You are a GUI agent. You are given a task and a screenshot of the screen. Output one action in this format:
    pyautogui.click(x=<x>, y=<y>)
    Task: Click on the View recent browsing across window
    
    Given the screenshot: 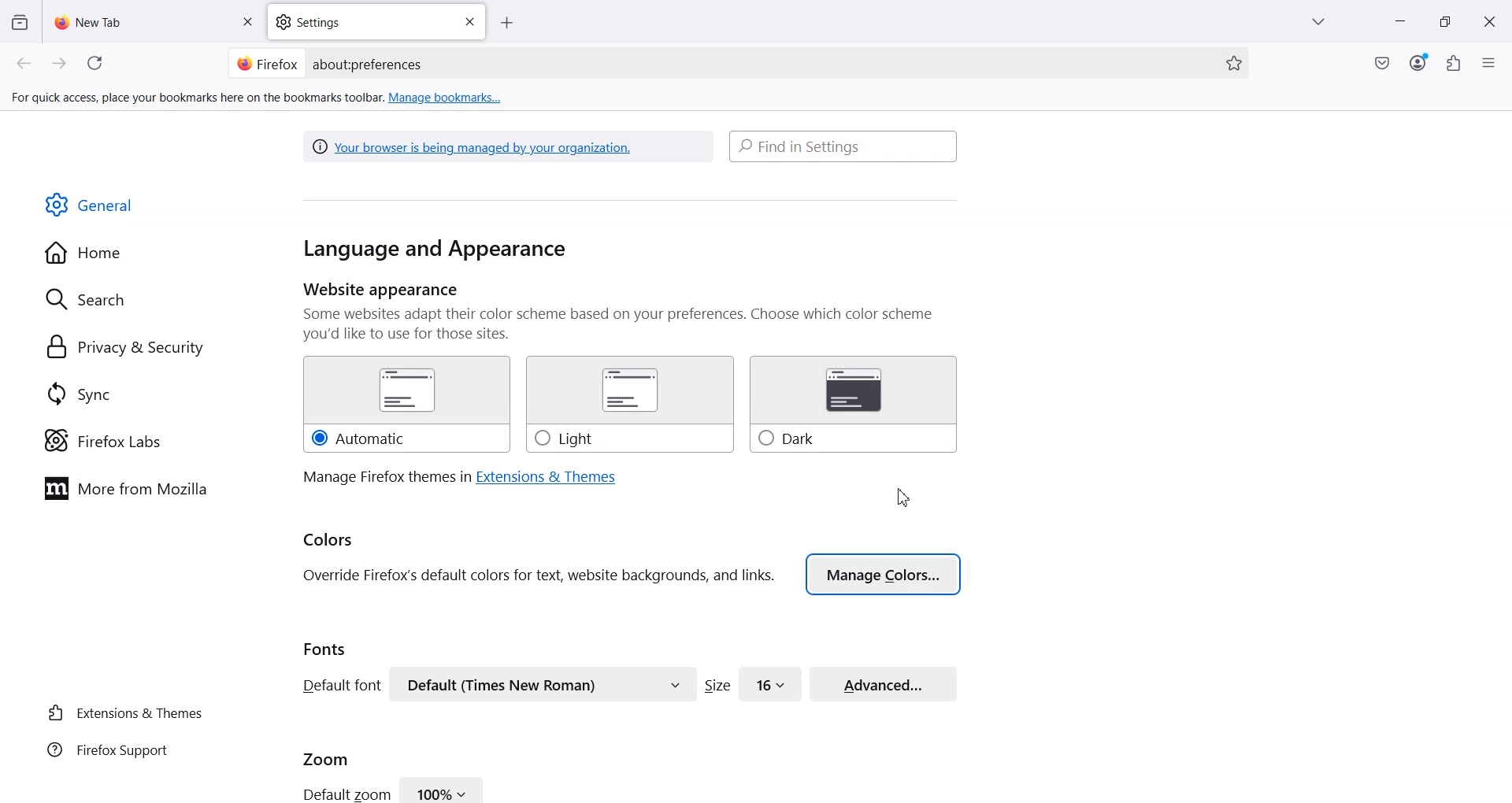 What is the action you would take?
    pyautogui.click(x=19, y=21)
    